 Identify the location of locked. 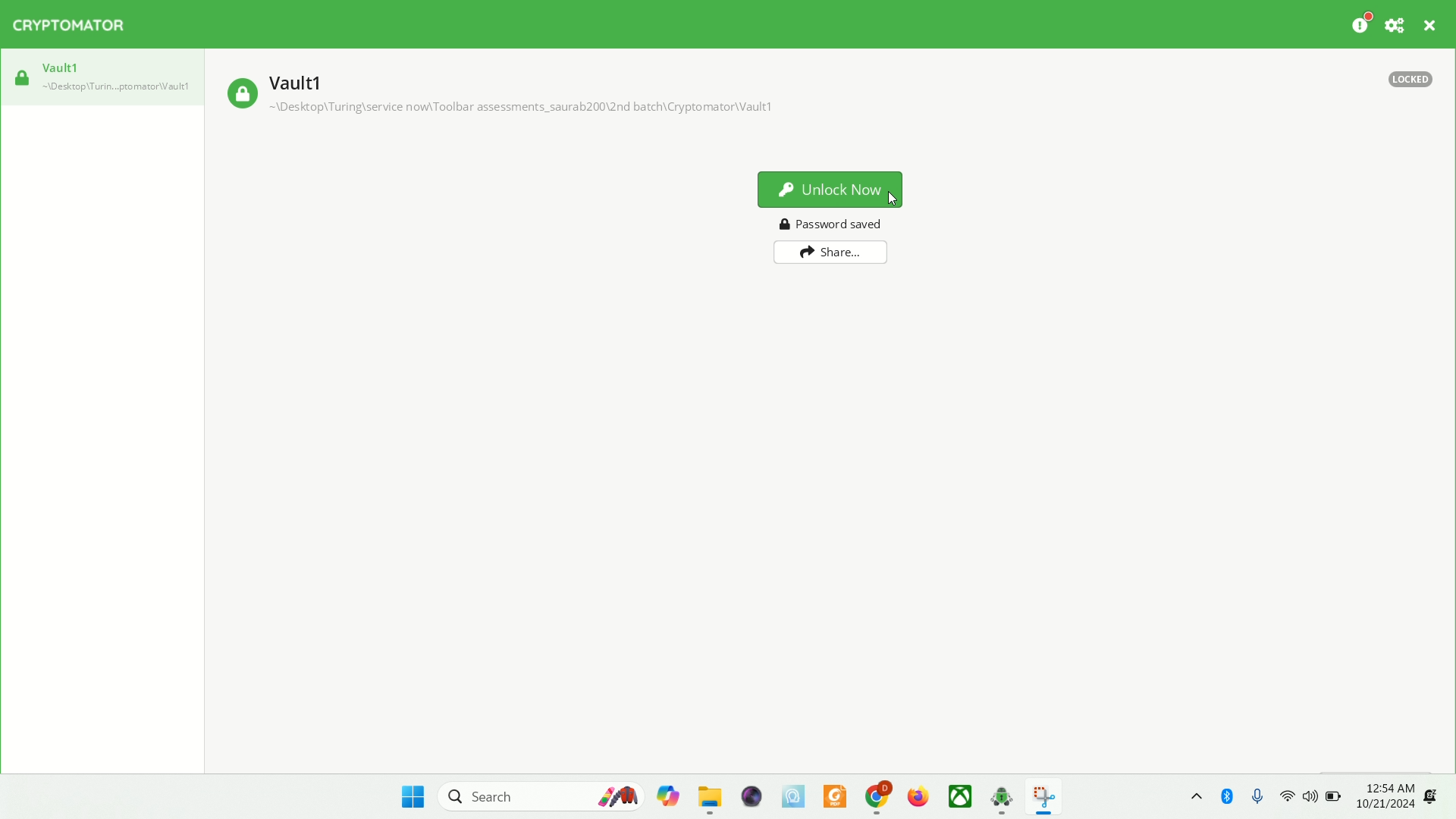
(237, 93).